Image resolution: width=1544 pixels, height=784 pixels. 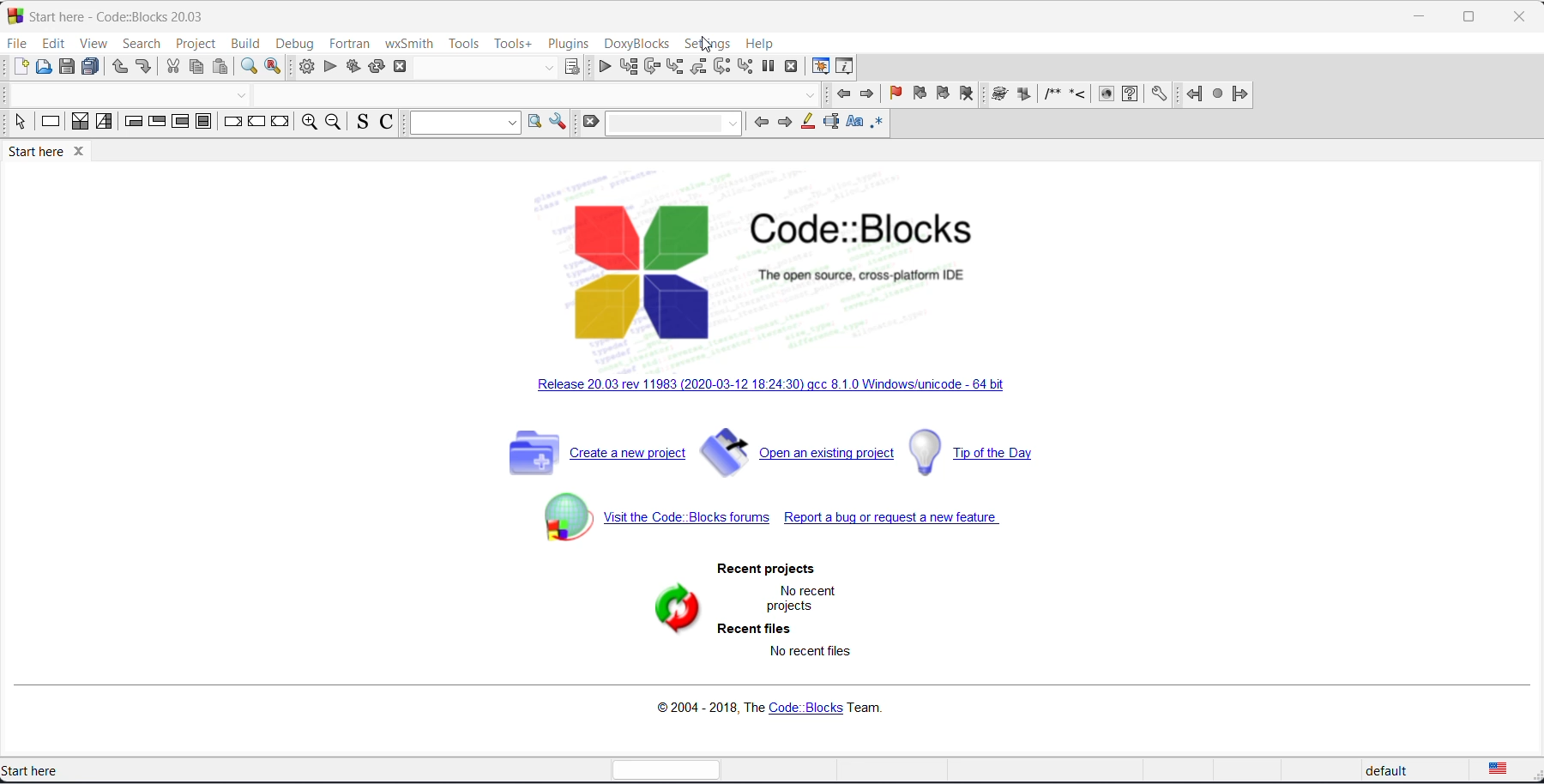 What do you see at coordinates (721, 65) in the screenshot?
I see `next instruction` at bounding box center [721, 65].